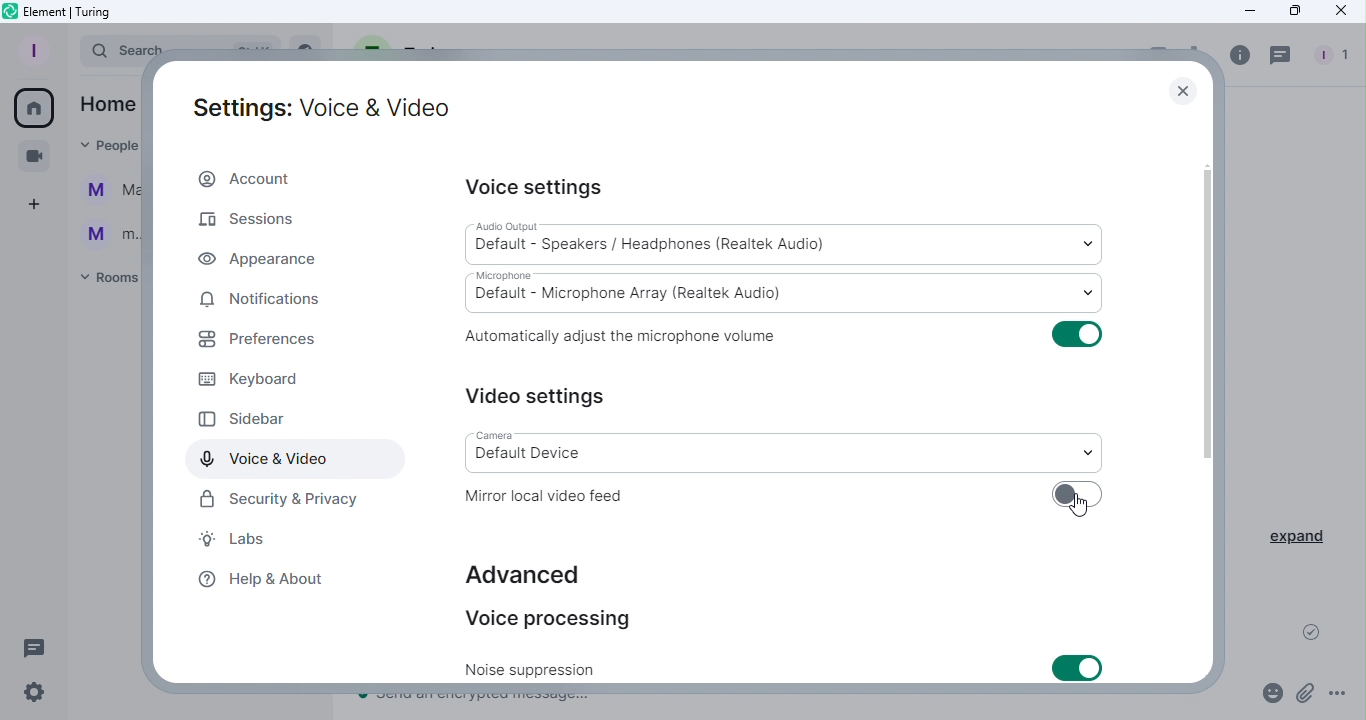  I want to click on Keyboard, so click(264, 379).